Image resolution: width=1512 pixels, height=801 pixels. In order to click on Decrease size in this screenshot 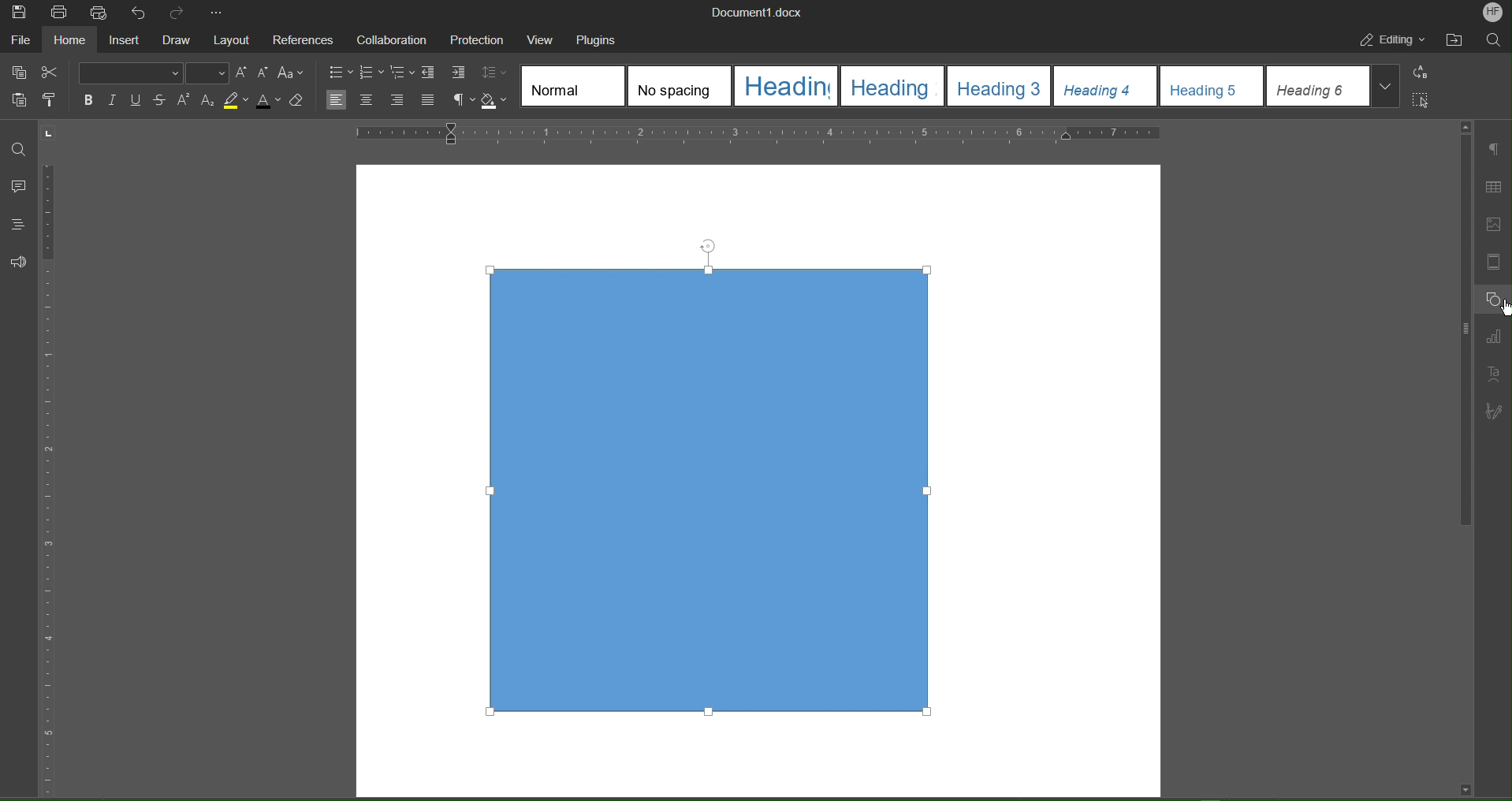, I will do `click(264, 73)`.